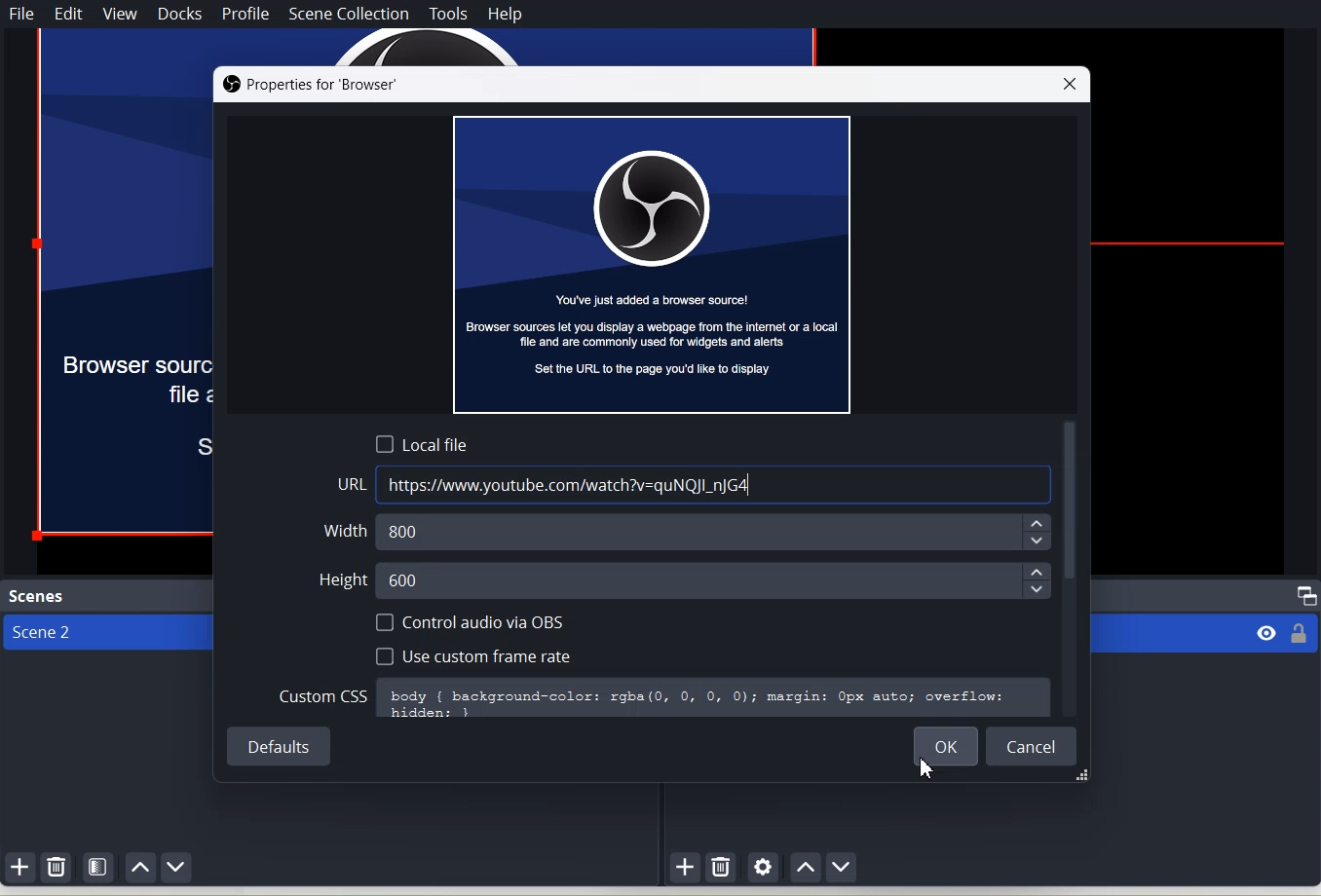 The image size is (1321, 896). I want to click on 600, so click(711, 582).